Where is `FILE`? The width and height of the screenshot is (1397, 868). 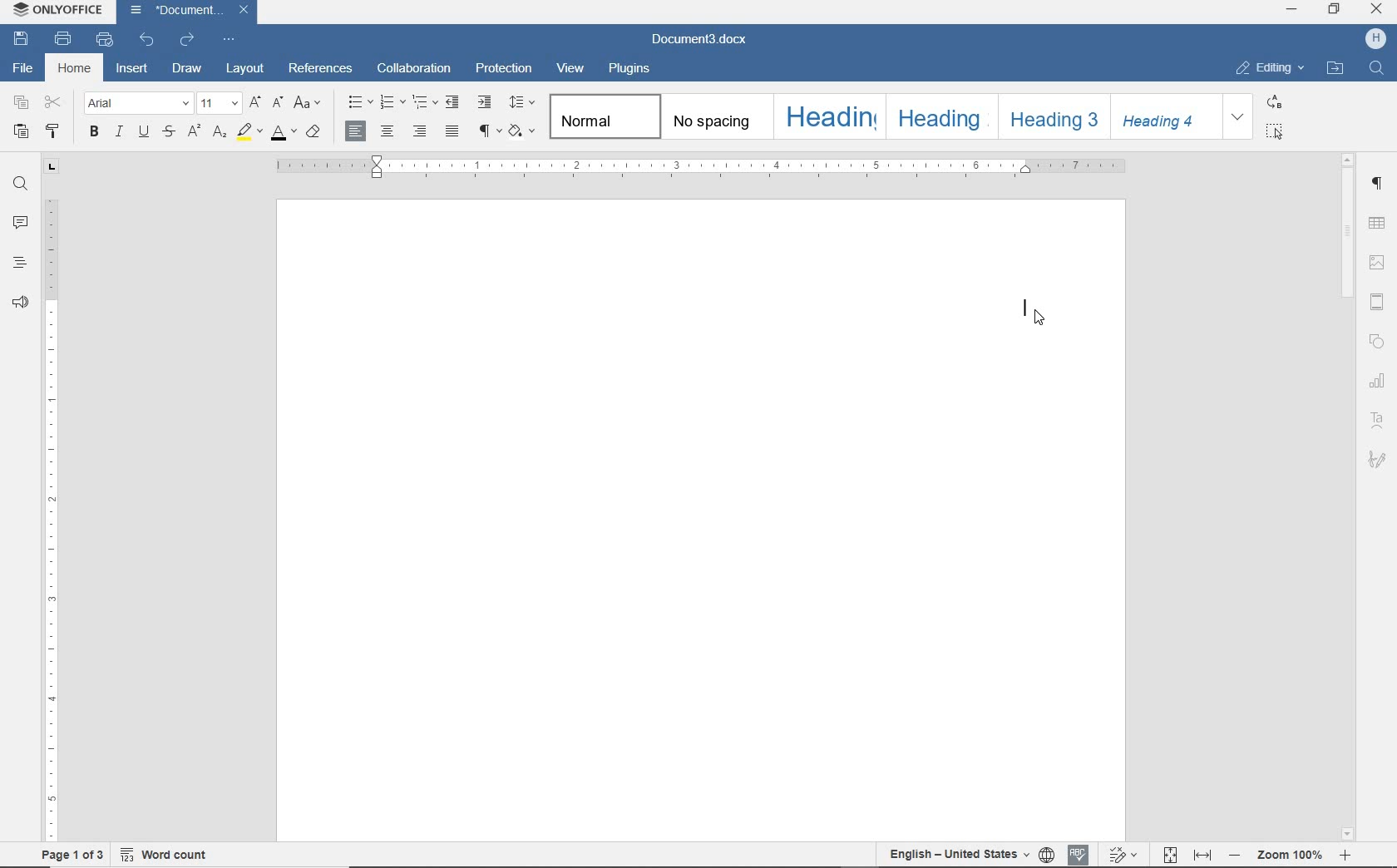
FILE is located at coordinates (25, 70).